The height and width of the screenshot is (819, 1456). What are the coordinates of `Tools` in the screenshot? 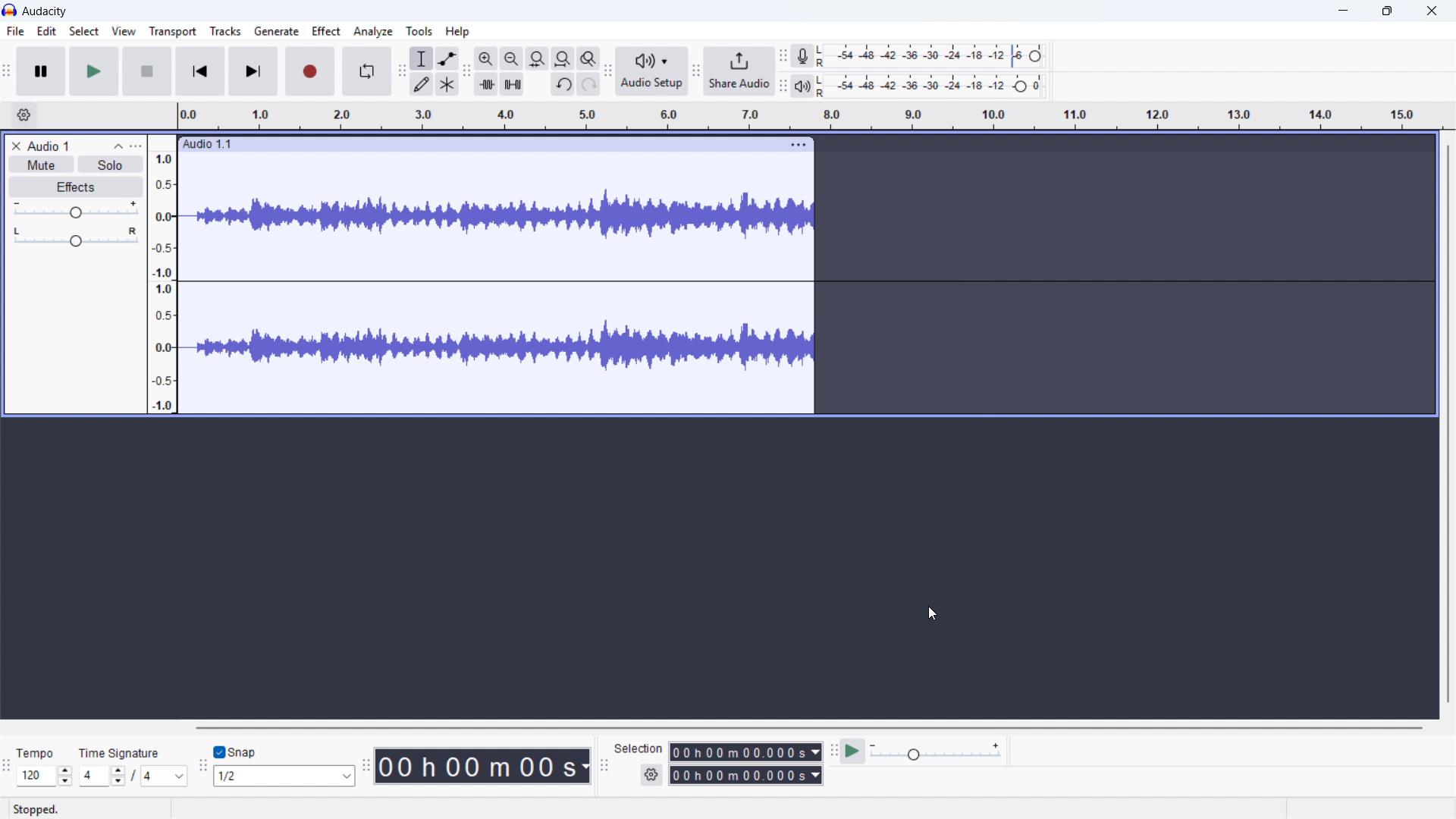 It's located at (420, 30).